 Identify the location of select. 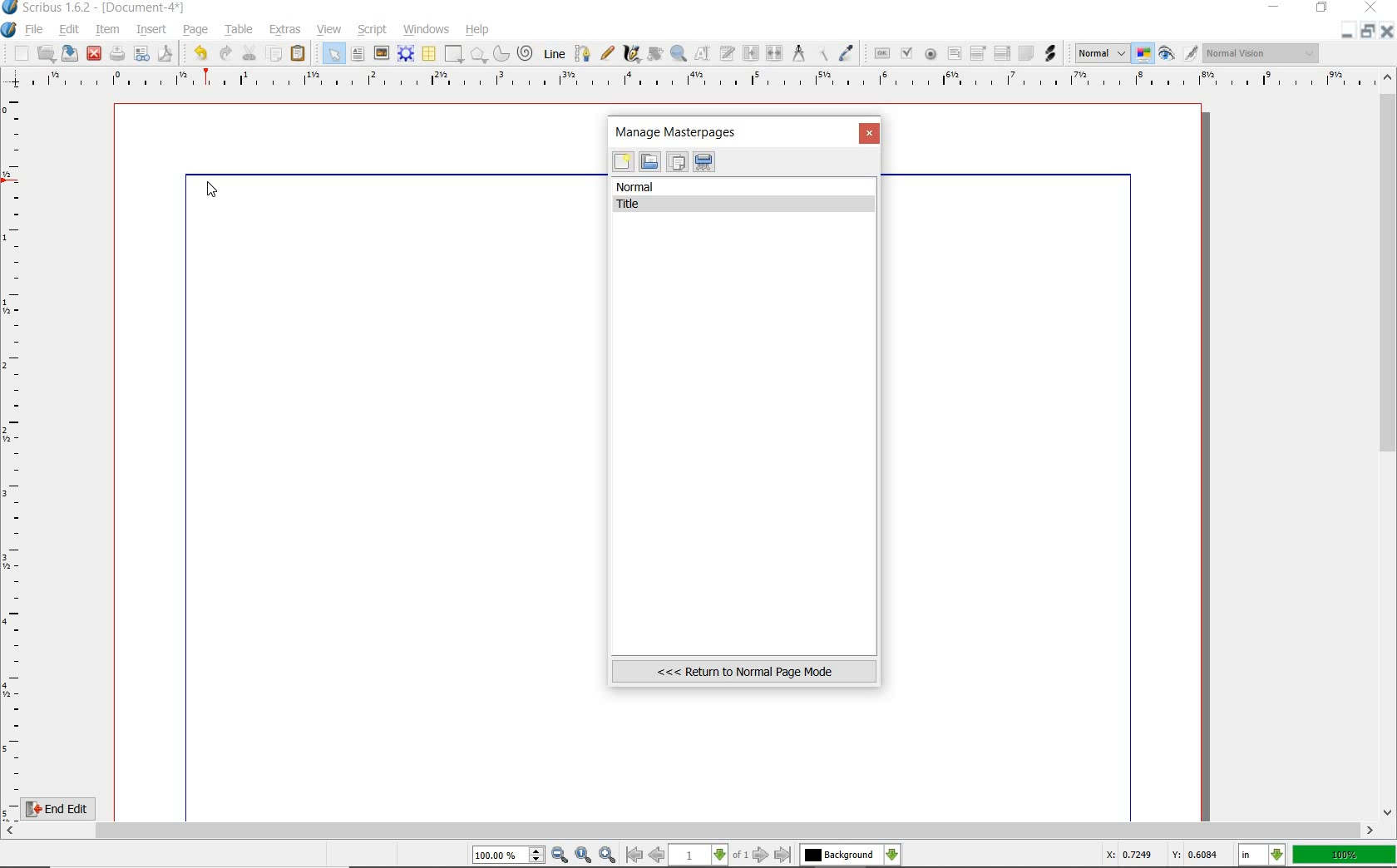
(330, 53).